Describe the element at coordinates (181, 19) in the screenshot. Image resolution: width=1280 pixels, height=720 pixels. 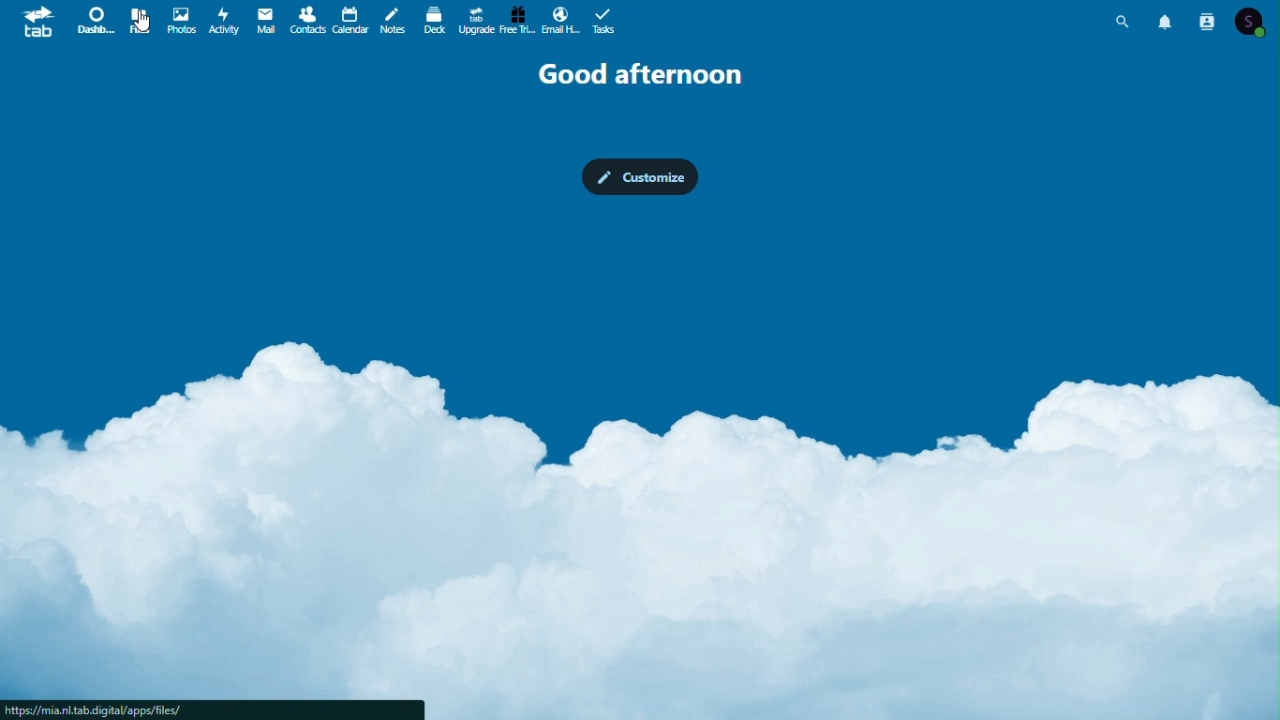
I see `Photos` at that location.